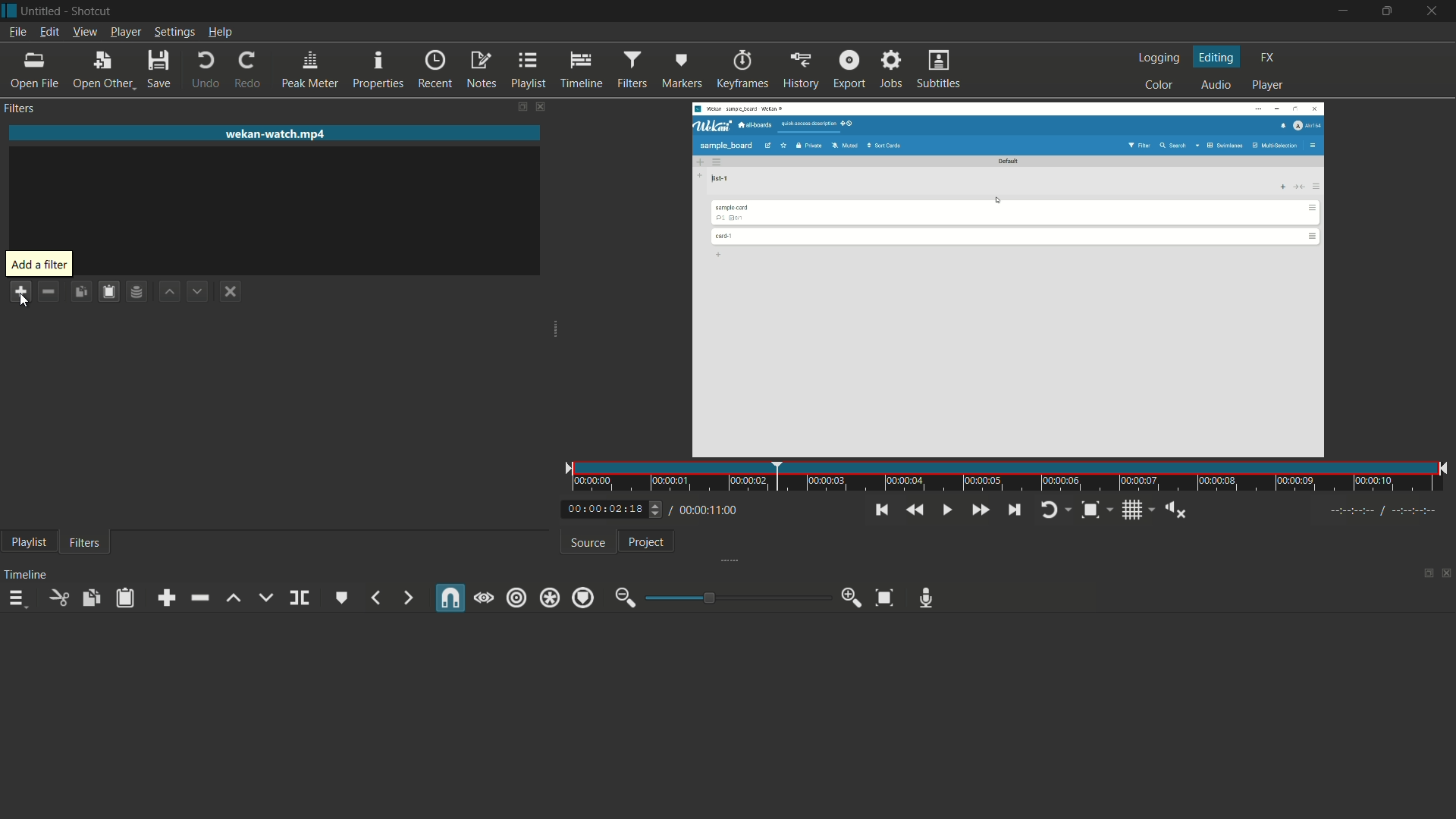 The height and width of the screenshot is (819, 1456). Describe the element at coordinates (1269, 86) in the screenshot. I see `player` at that location.